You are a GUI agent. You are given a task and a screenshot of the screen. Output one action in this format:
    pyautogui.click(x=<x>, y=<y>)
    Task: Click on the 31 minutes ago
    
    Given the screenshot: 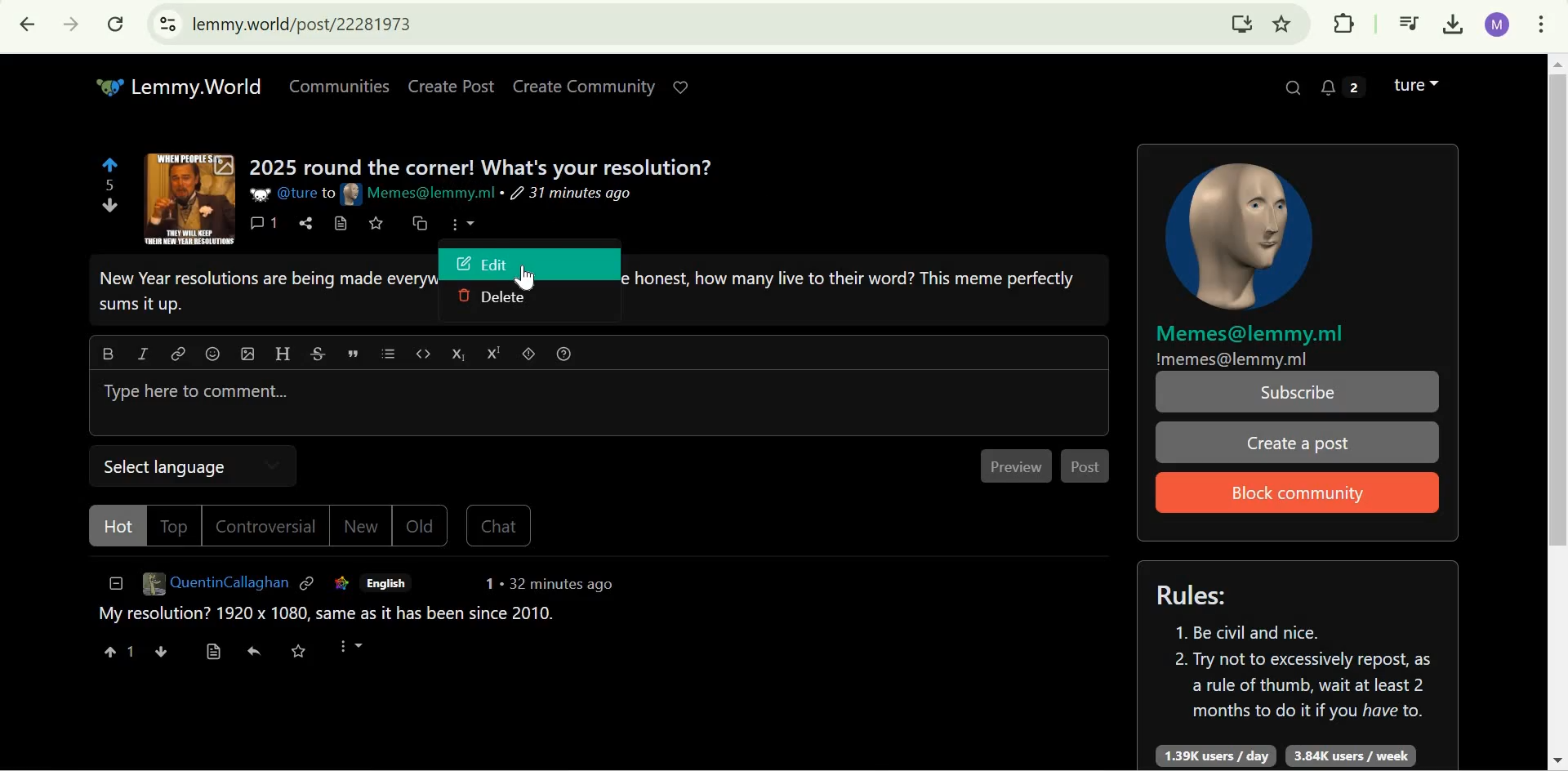 What is the action you would take?
    pyautogui.click(x=577, y=192)
    